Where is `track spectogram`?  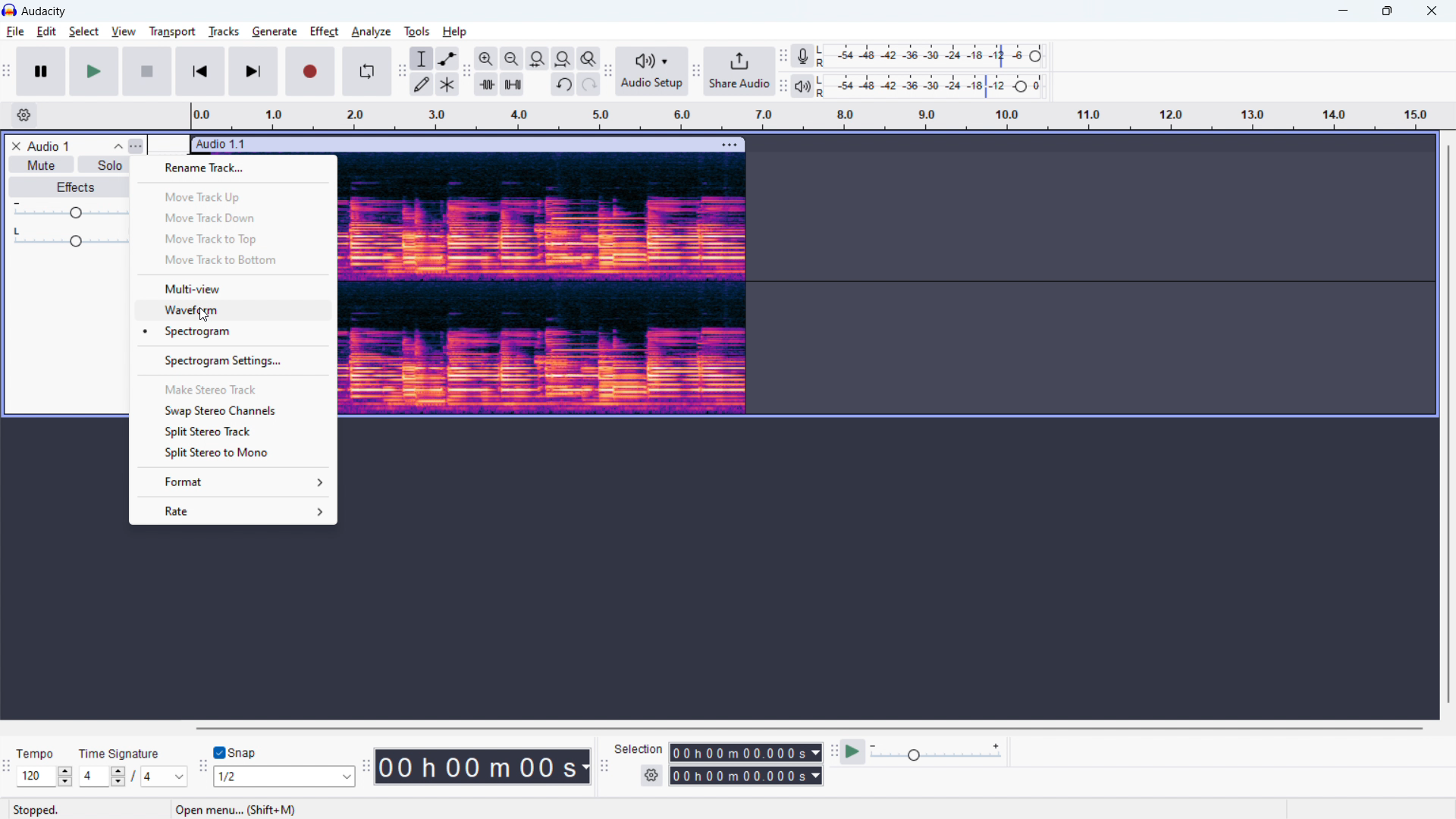
track spectogram is located at coordinates (612, 287).